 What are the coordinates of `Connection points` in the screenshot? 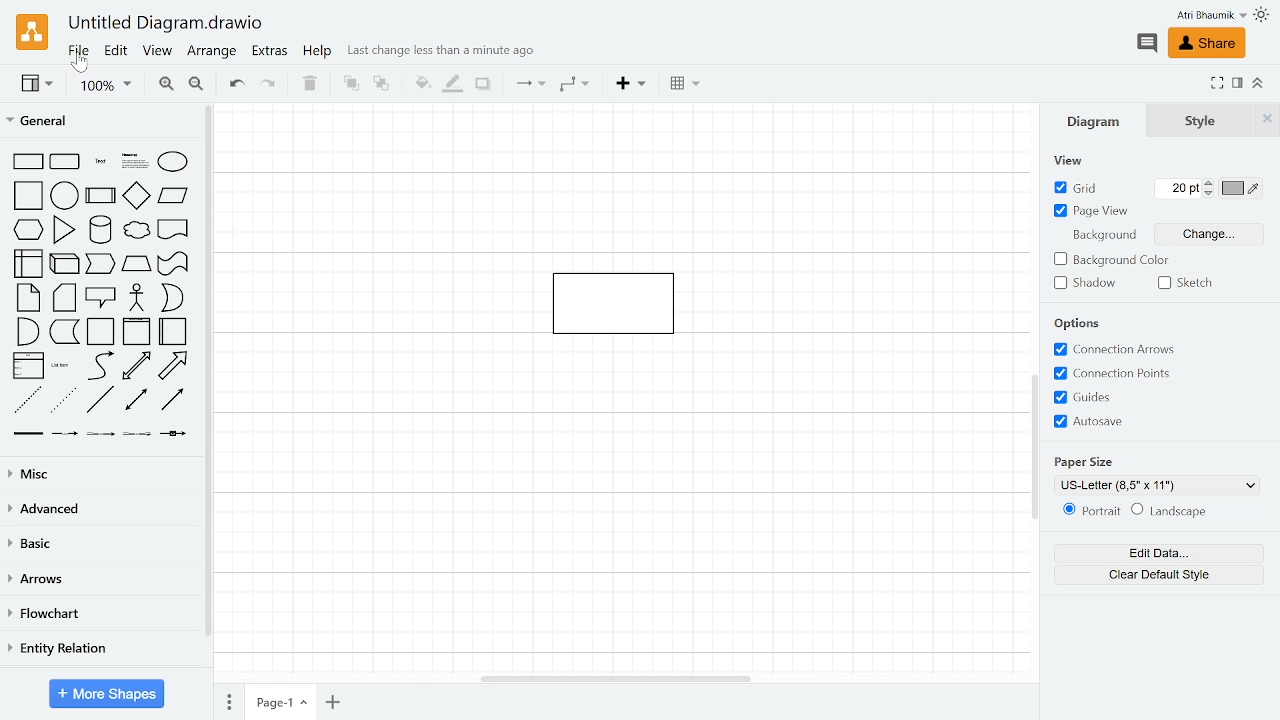 It's located at (1126, 374).